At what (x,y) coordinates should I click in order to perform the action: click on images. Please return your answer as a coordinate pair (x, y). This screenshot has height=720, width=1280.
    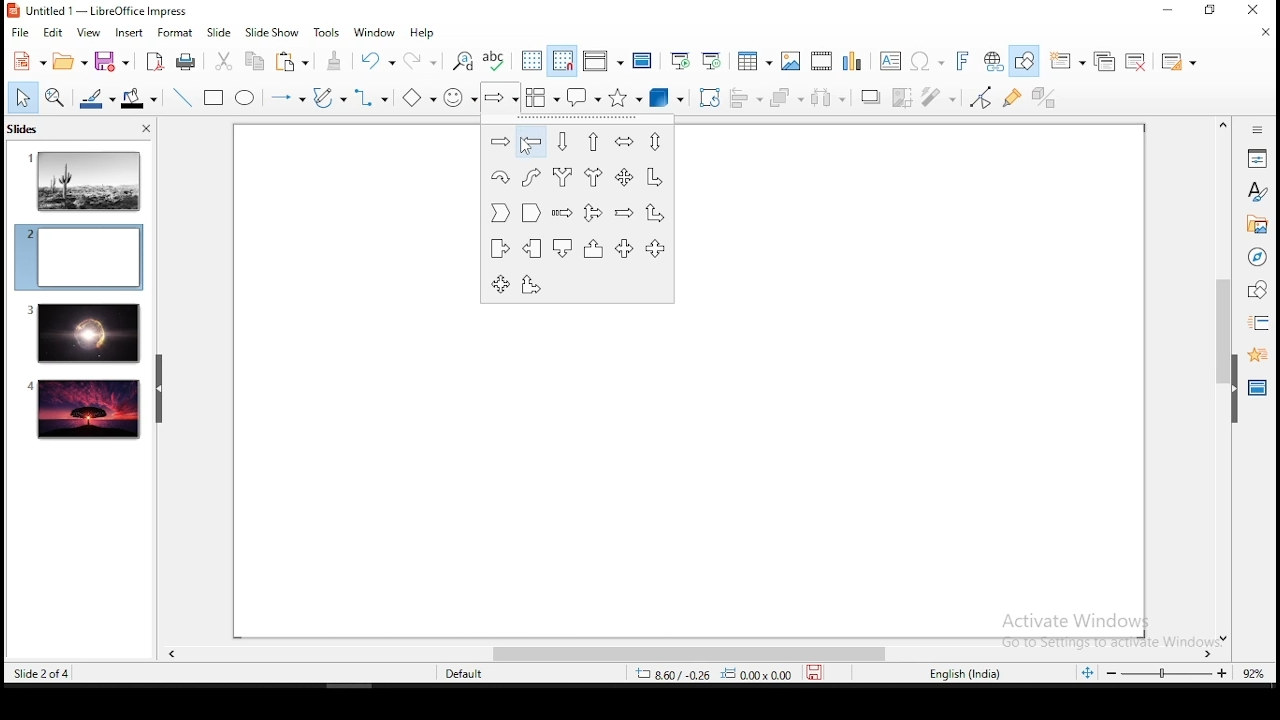
    Looking at the image, I should click on (792, 61).